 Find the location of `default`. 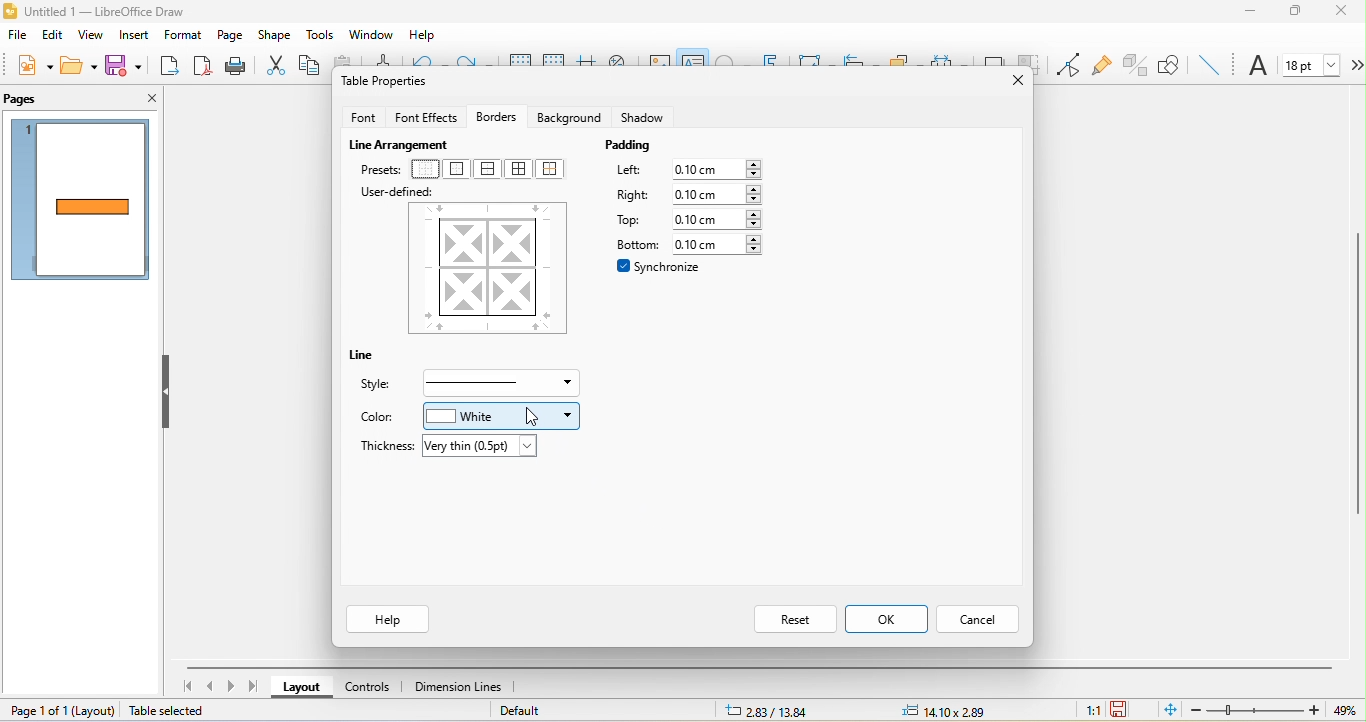

default is located at coordinates (542, 710).